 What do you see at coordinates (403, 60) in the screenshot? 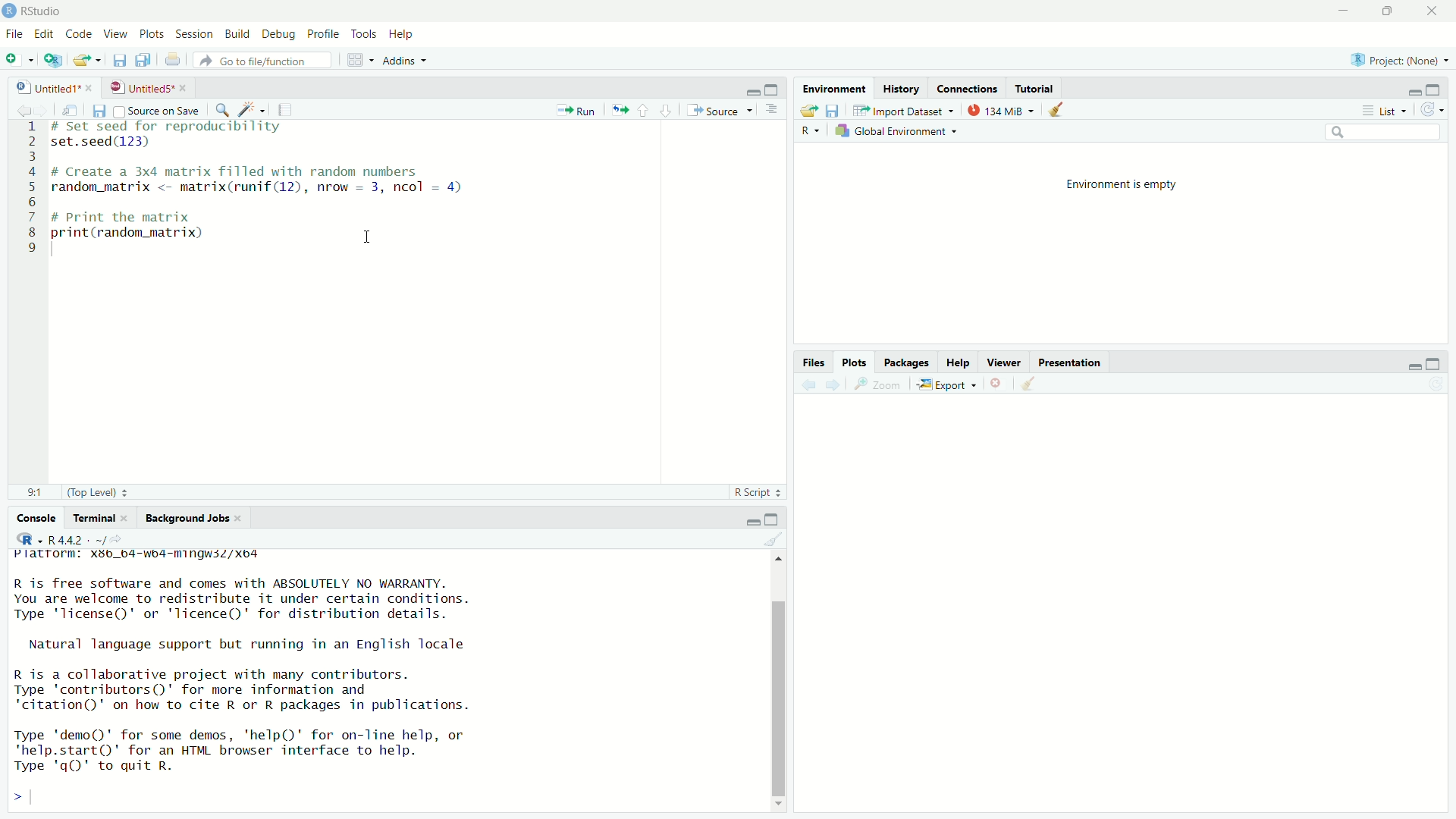
I see `Addins +` at bounding box center [403, 60].